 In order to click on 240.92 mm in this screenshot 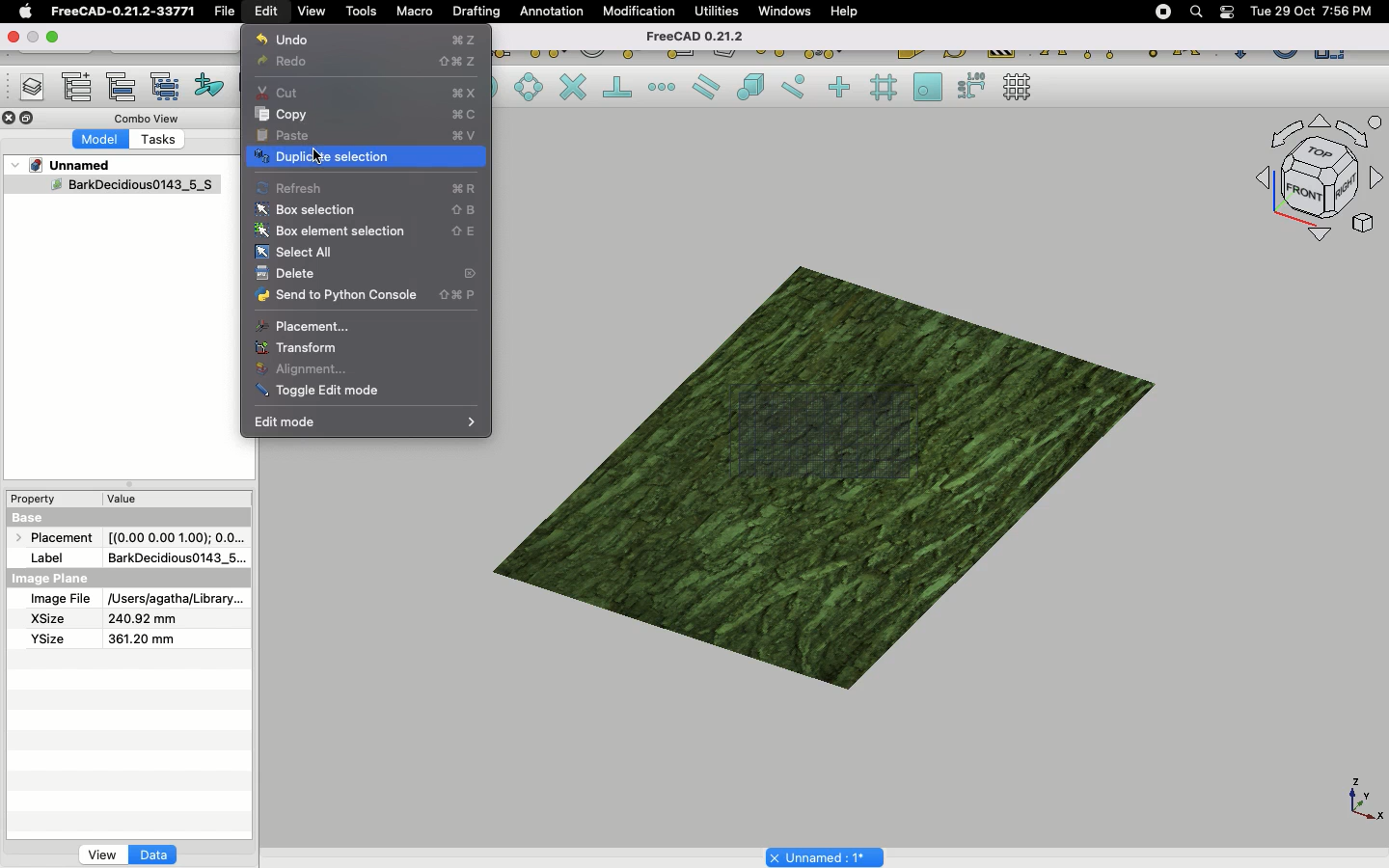, I will do `click(144, 619)`.